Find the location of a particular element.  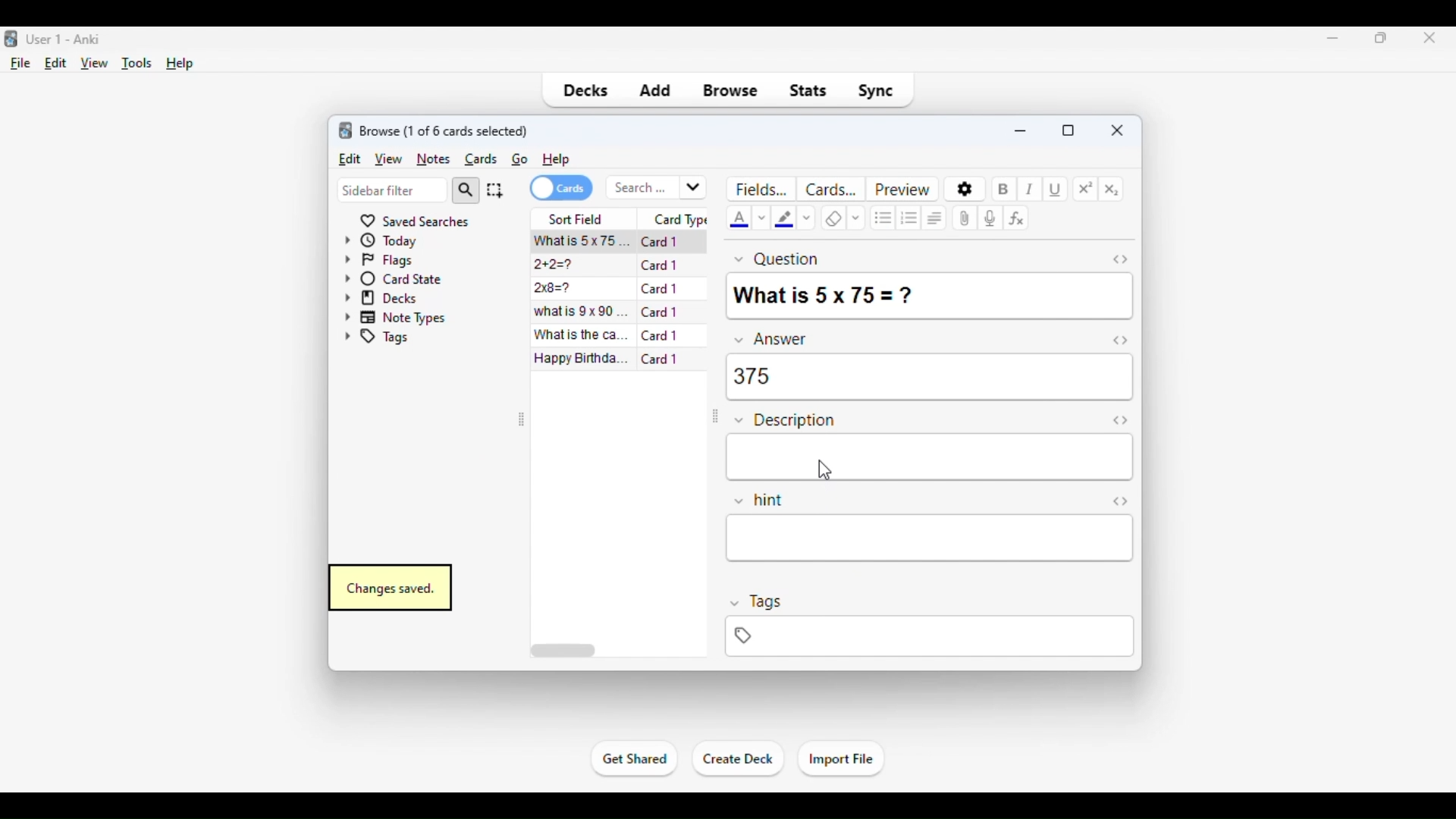

view is located at coordinates (95, 64).